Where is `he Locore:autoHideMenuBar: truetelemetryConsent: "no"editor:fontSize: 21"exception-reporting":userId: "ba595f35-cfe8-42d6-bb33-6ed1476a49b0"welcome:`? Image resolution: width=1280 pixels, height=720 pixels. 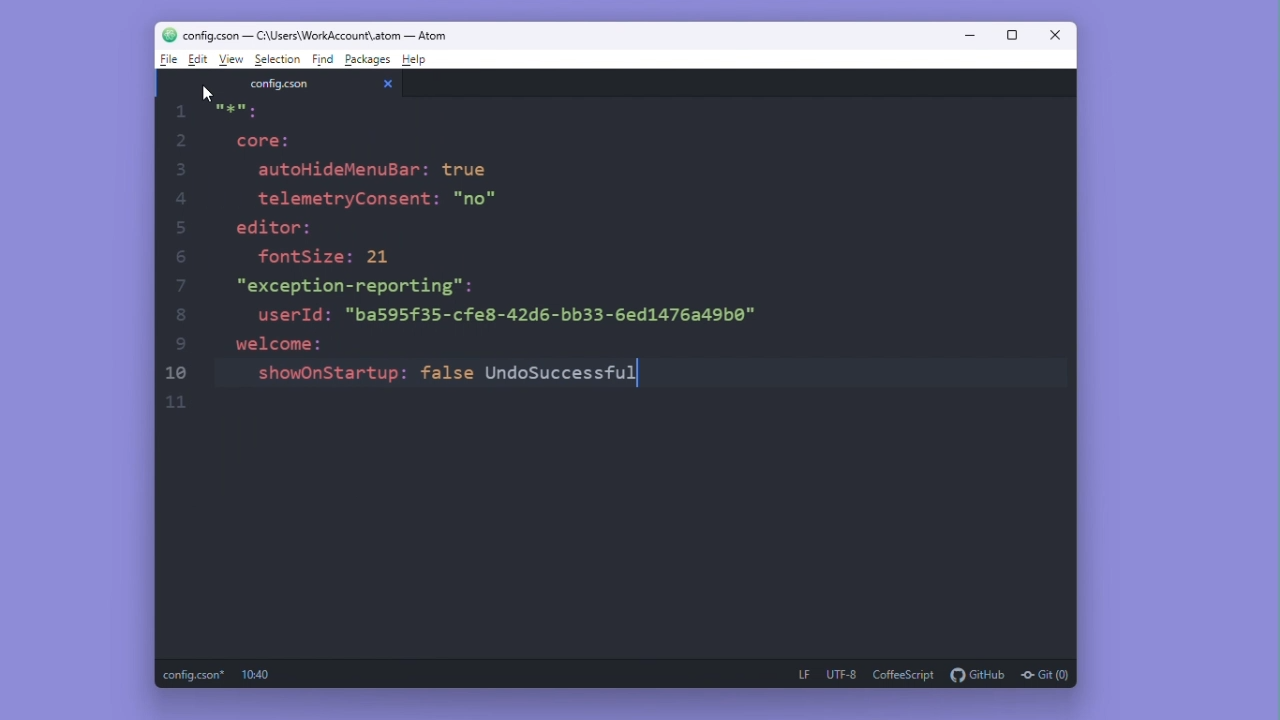
he Locore:autoHideMenuBar: truetelemetryConsent: "no"editor:fontSize: 21"exception-reporting":userId: "ba595f35-cfe8-42d6-bb33-6ed1476a49b0"welcome: is located at coordinates (486, 228).